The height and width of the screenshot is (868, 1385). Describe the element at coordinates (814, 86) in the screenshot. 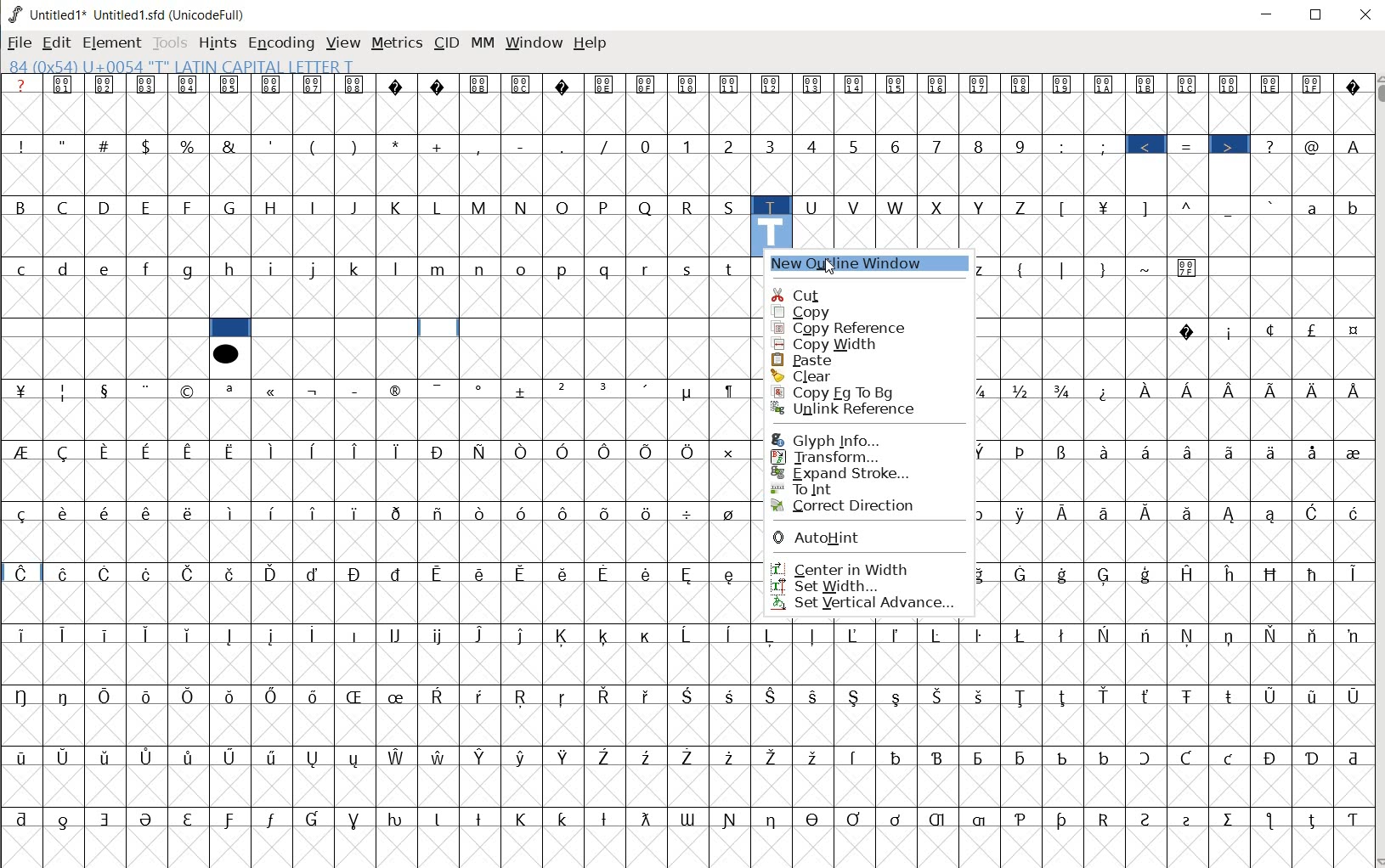

I see `Symbol` at that location.